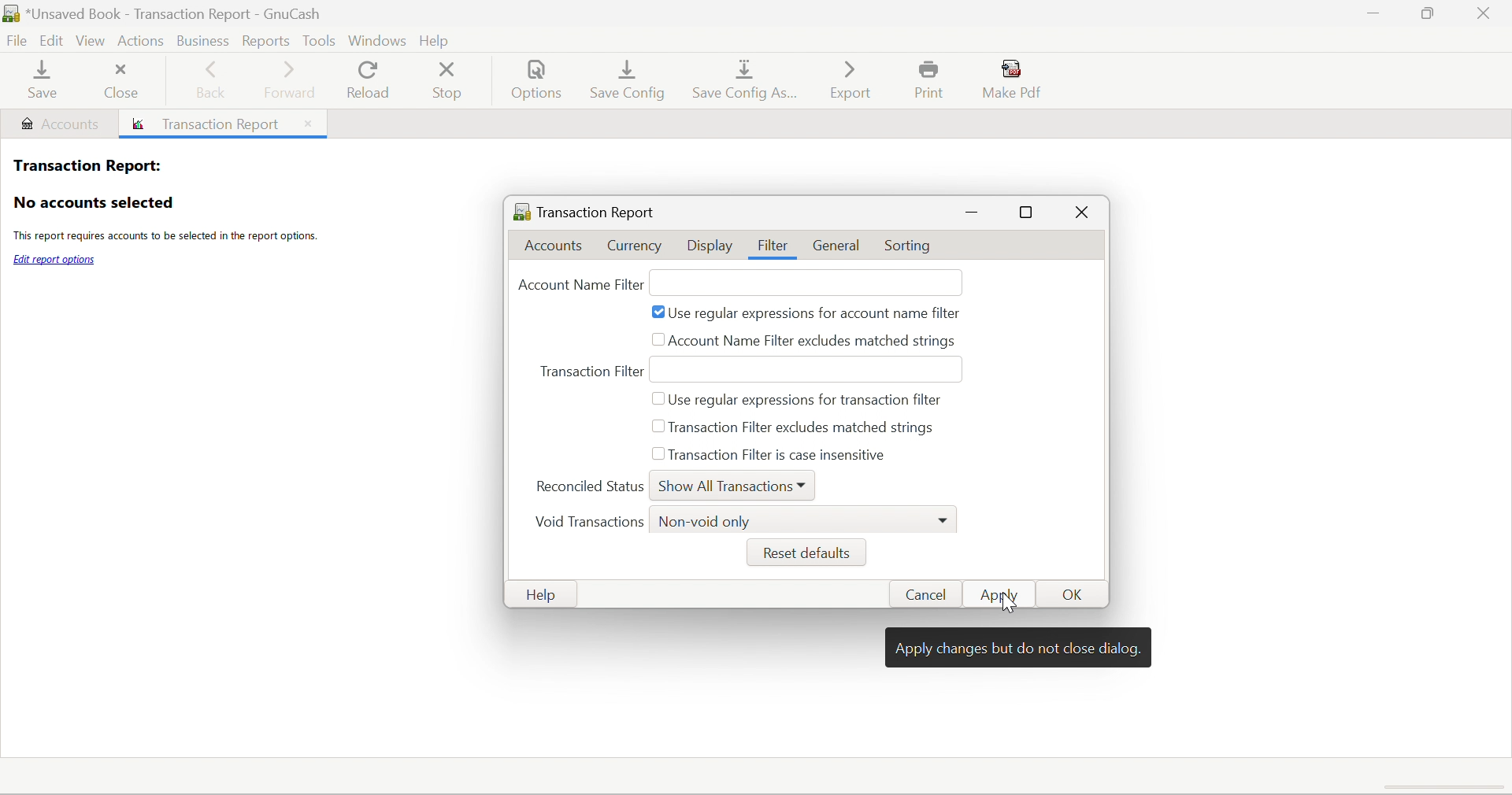  I want to click on Transaction Filter excludes matched strings, so click(814, 428).